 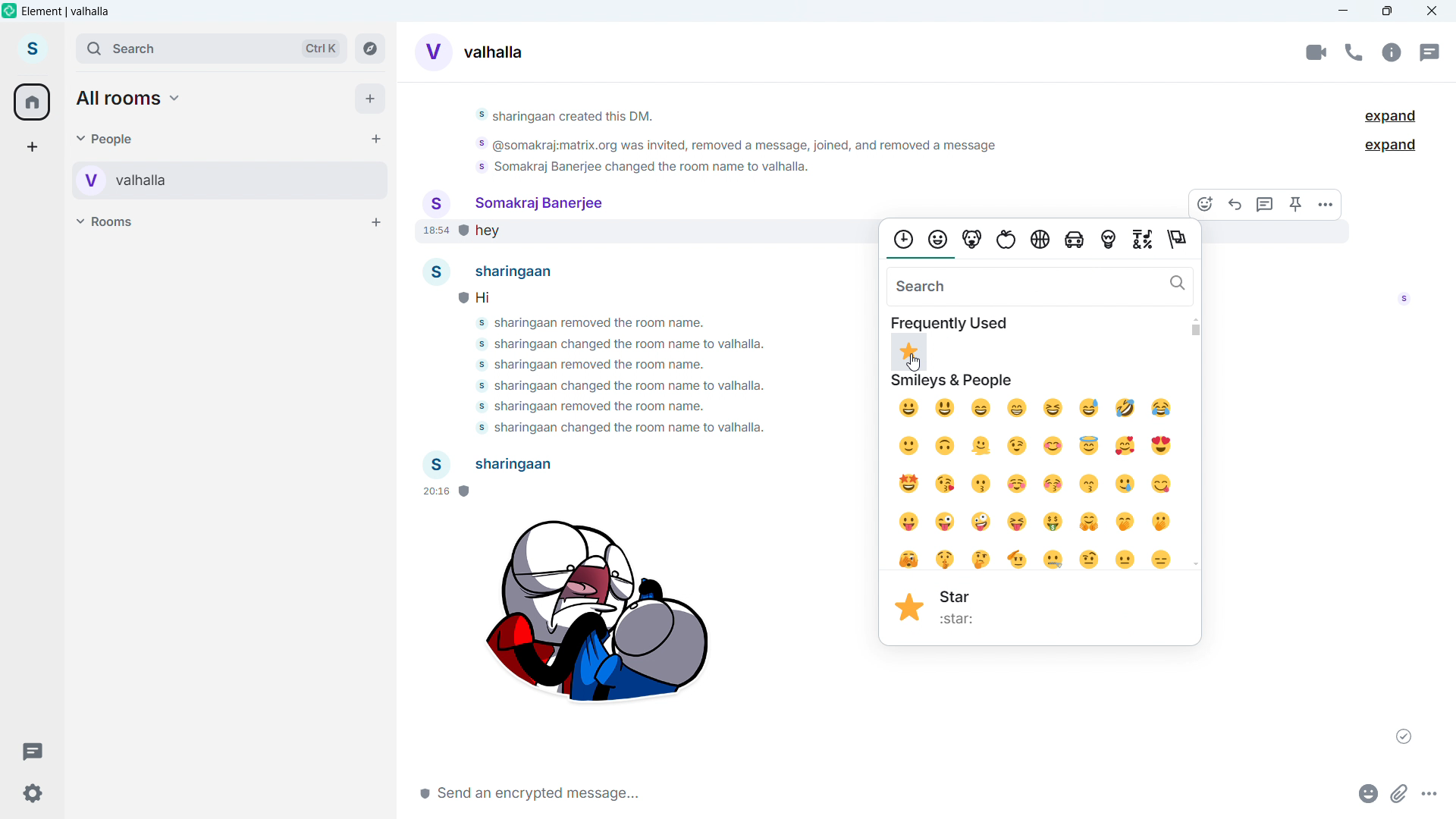 What do you see at coordinates (946, 523) in the screenshot?
I see `winking face with tongue` at bounding box center [946, 523].